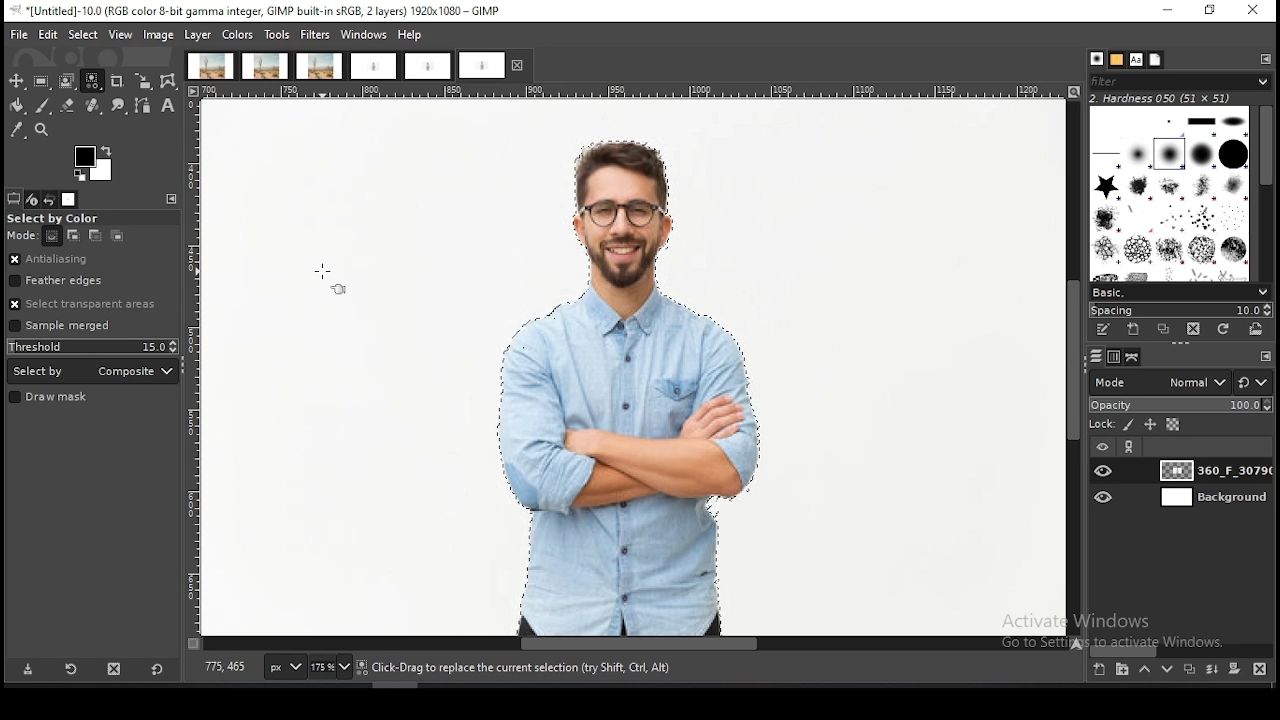 This screenshot has height=720, width=1280. What do you see at coordinates (94, 106) in the screenshot?
I see `healing tool` at bounding box center [94, 106].